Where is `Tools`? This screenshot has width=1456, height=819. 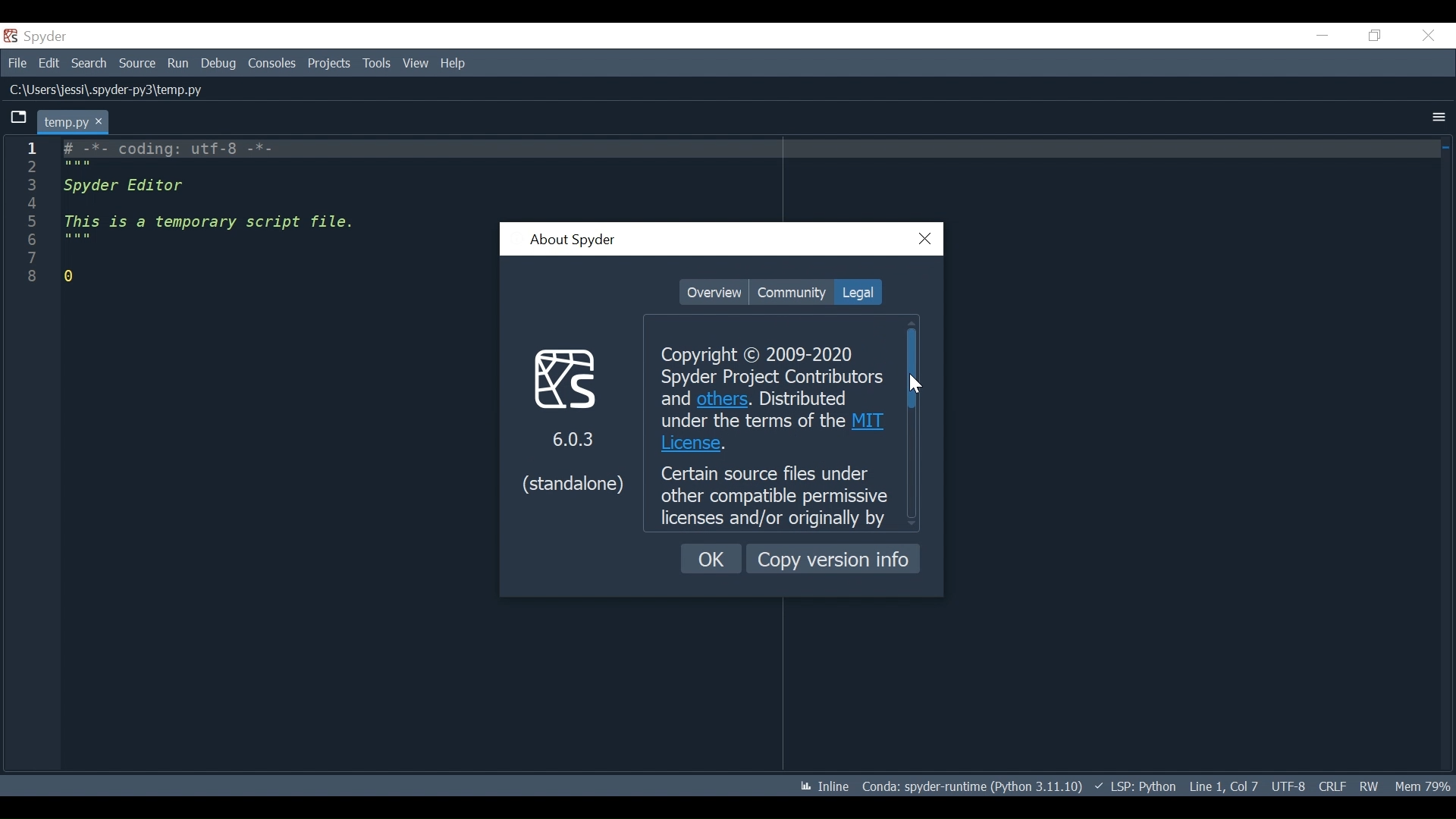 Tools is located at coordinates (378, 64).